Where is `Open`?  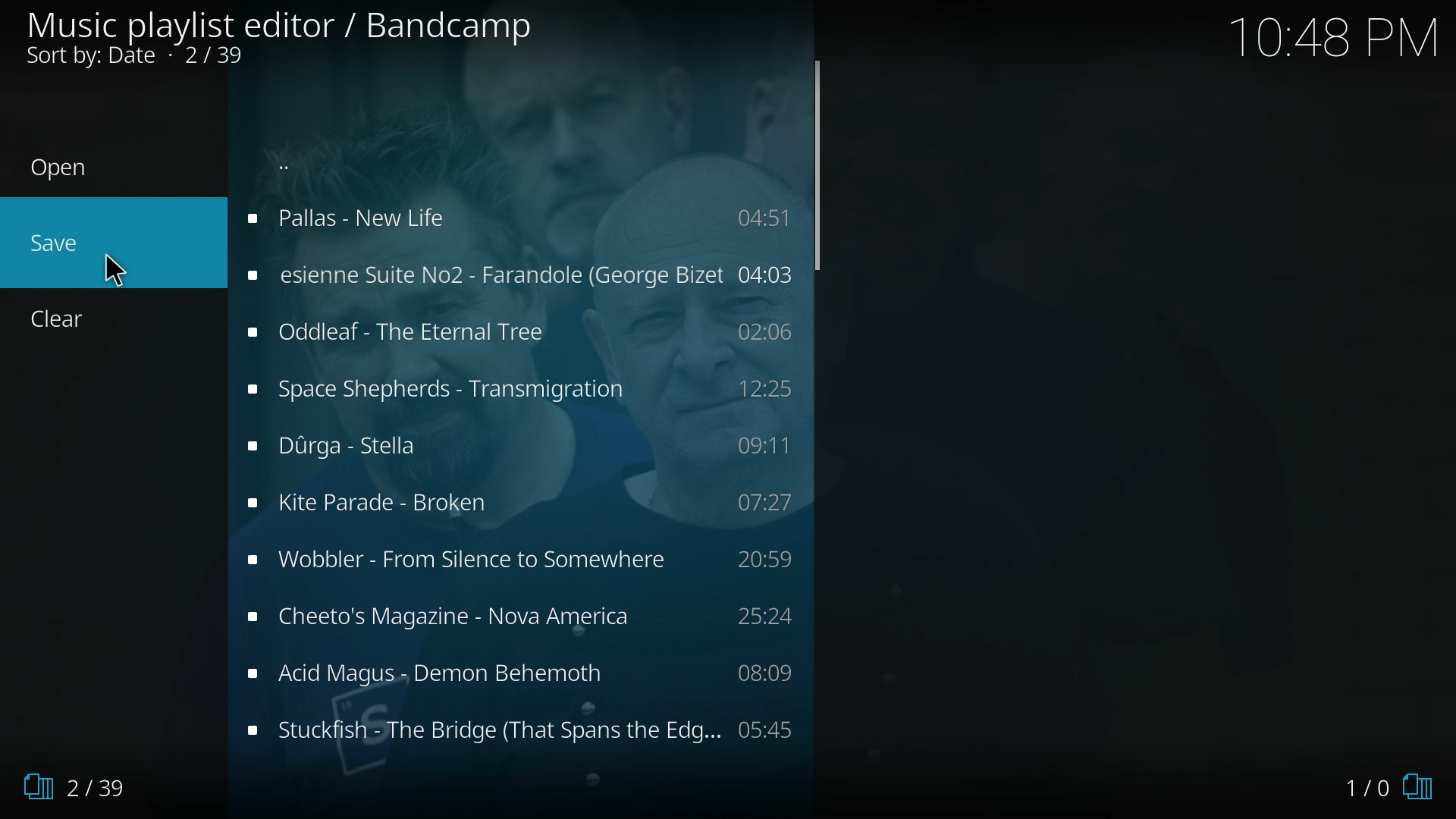
Open is located at coordinates (95, 170).